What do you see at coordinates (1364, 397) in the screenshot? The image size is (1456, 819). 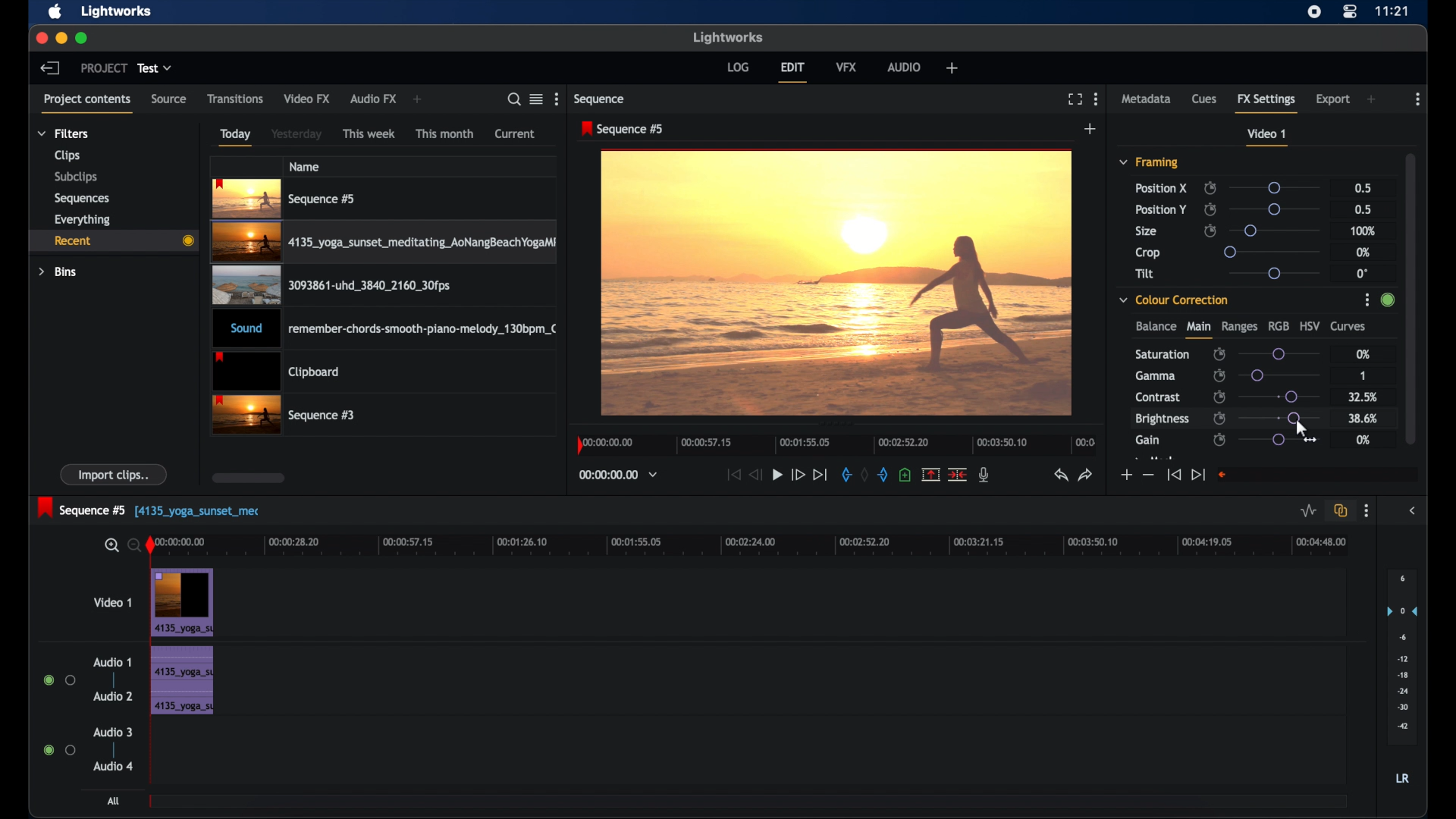 I see `32.5%` at bounding box center [1364, 397].